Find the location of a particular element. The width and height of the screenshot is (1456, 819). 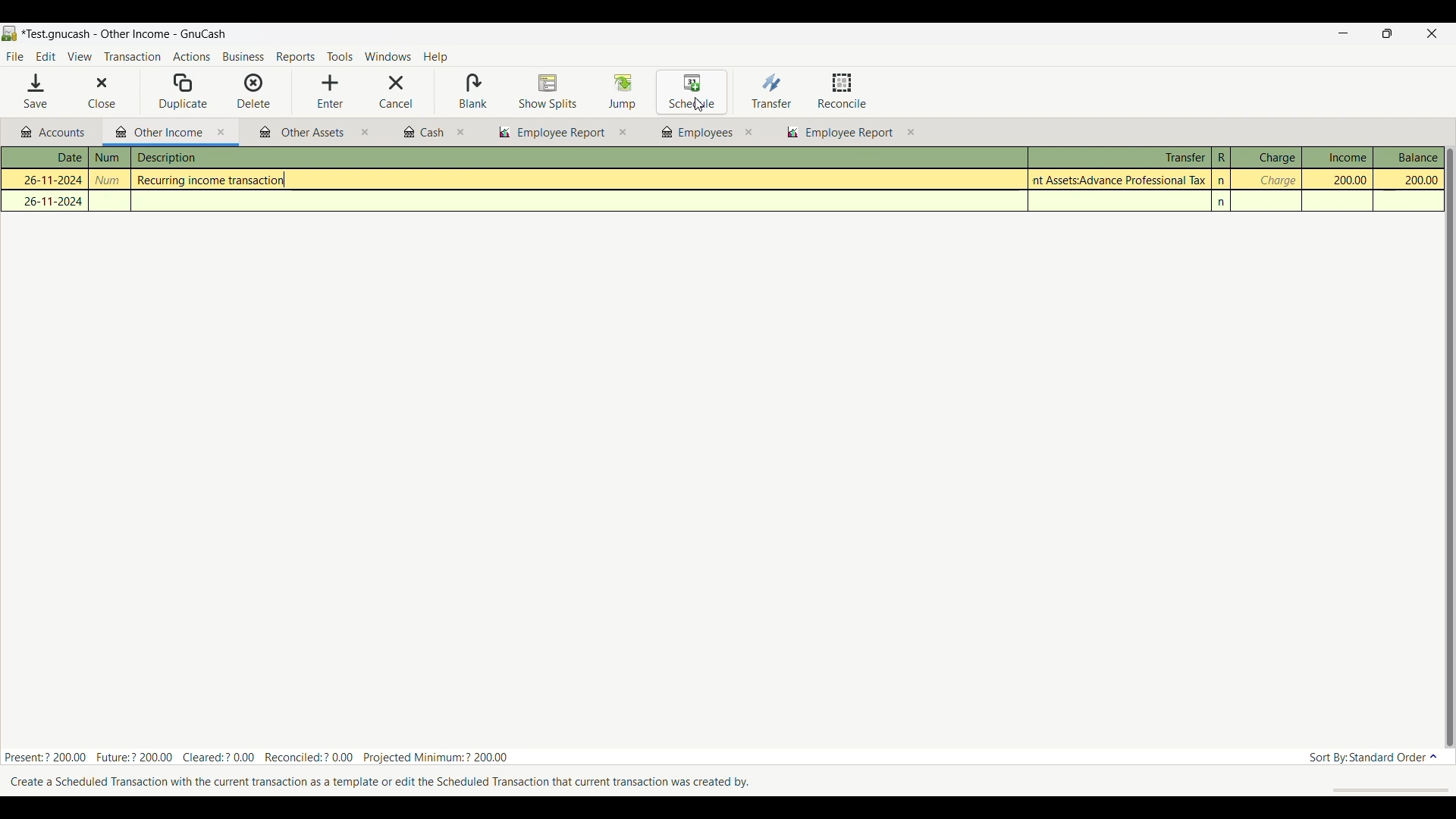

Windows menu is located at coordinates (388, 57).